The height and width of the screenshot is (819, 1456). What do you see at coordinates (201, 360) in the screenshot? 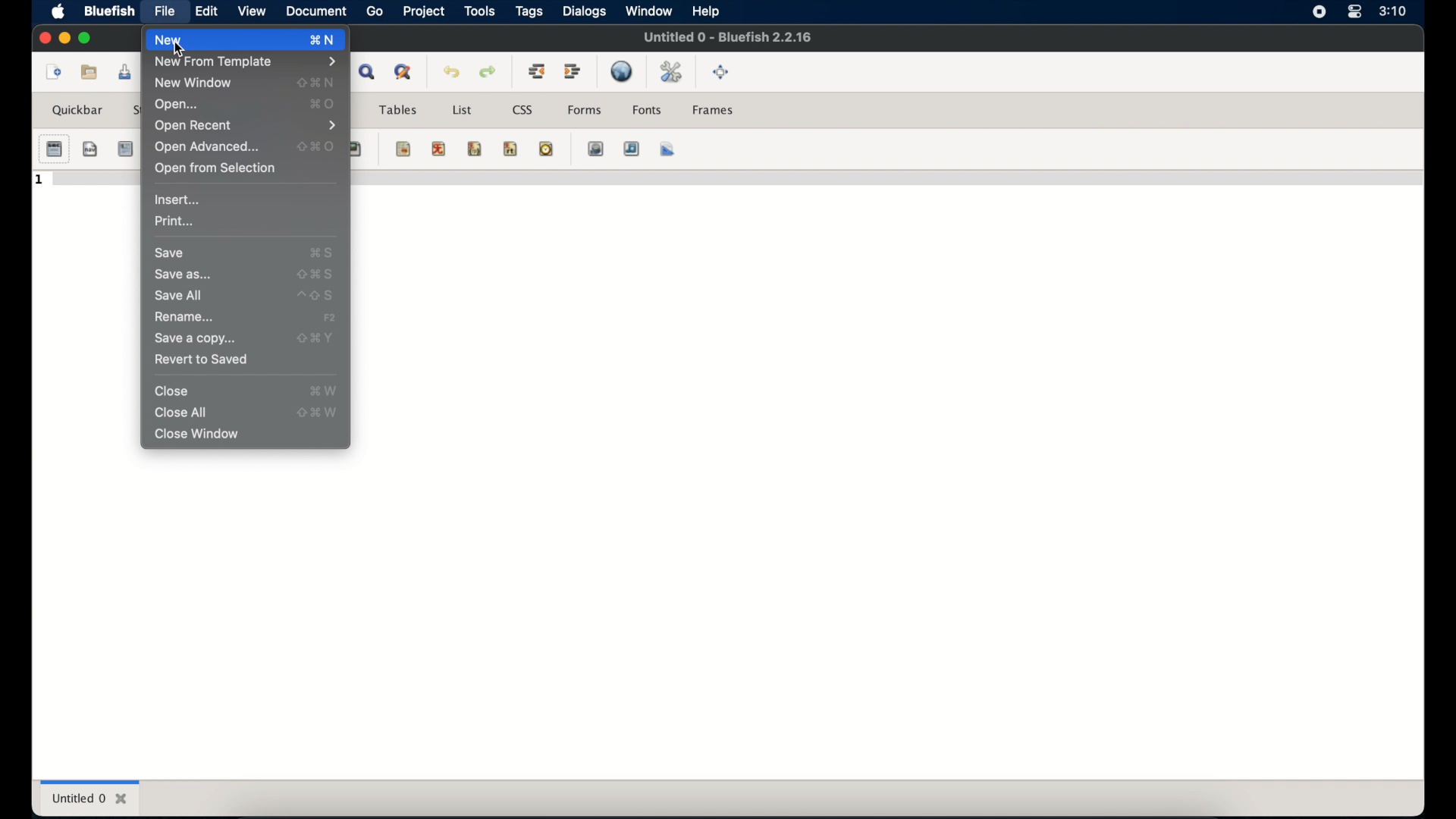
I see `revert to saved` at bounding box center [201, 360].